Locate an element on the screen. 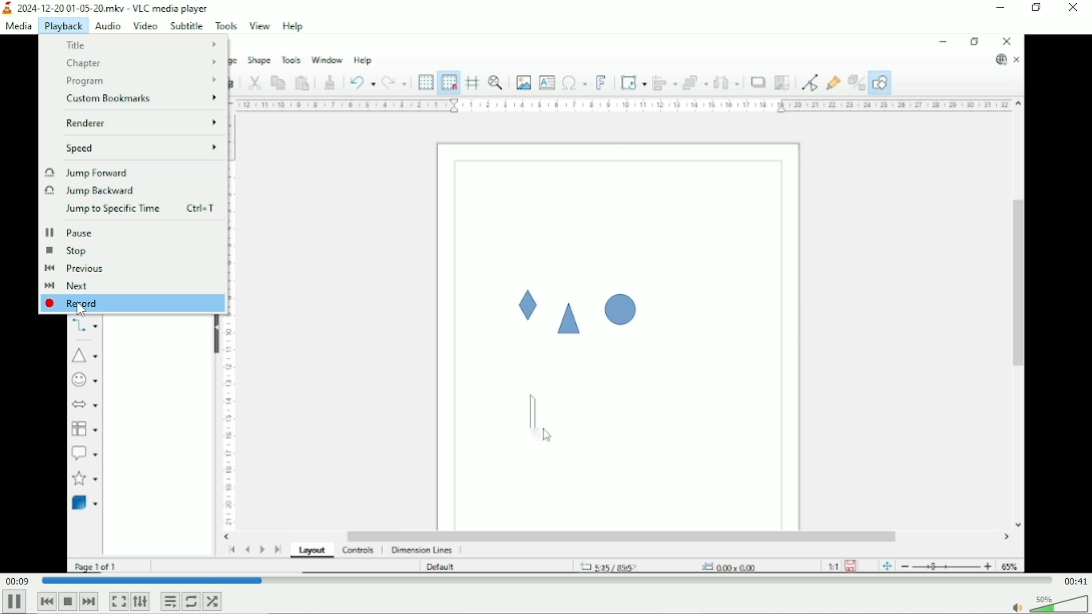 The width and height of the screenshot is (1092, 614). Cursor is located at coordinates (80, 313).